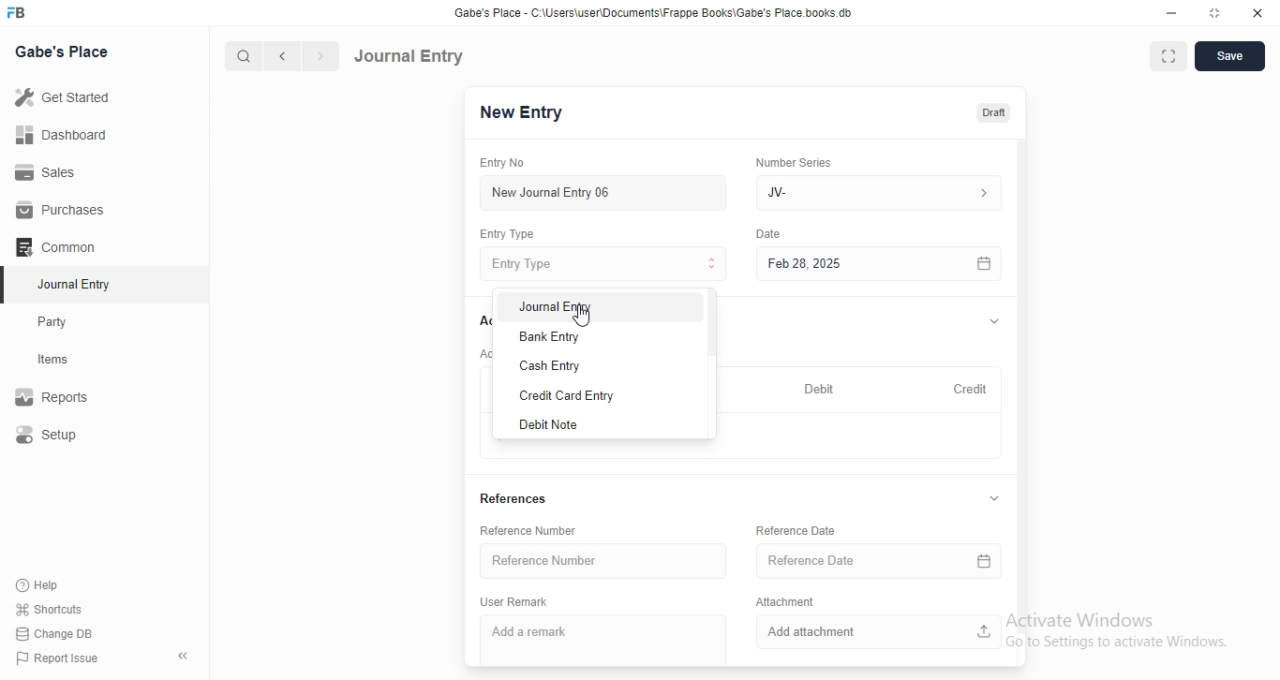 Image resolution: width=1280 pixels, height=680 pixels. I want to click on References, so click(510, 499).